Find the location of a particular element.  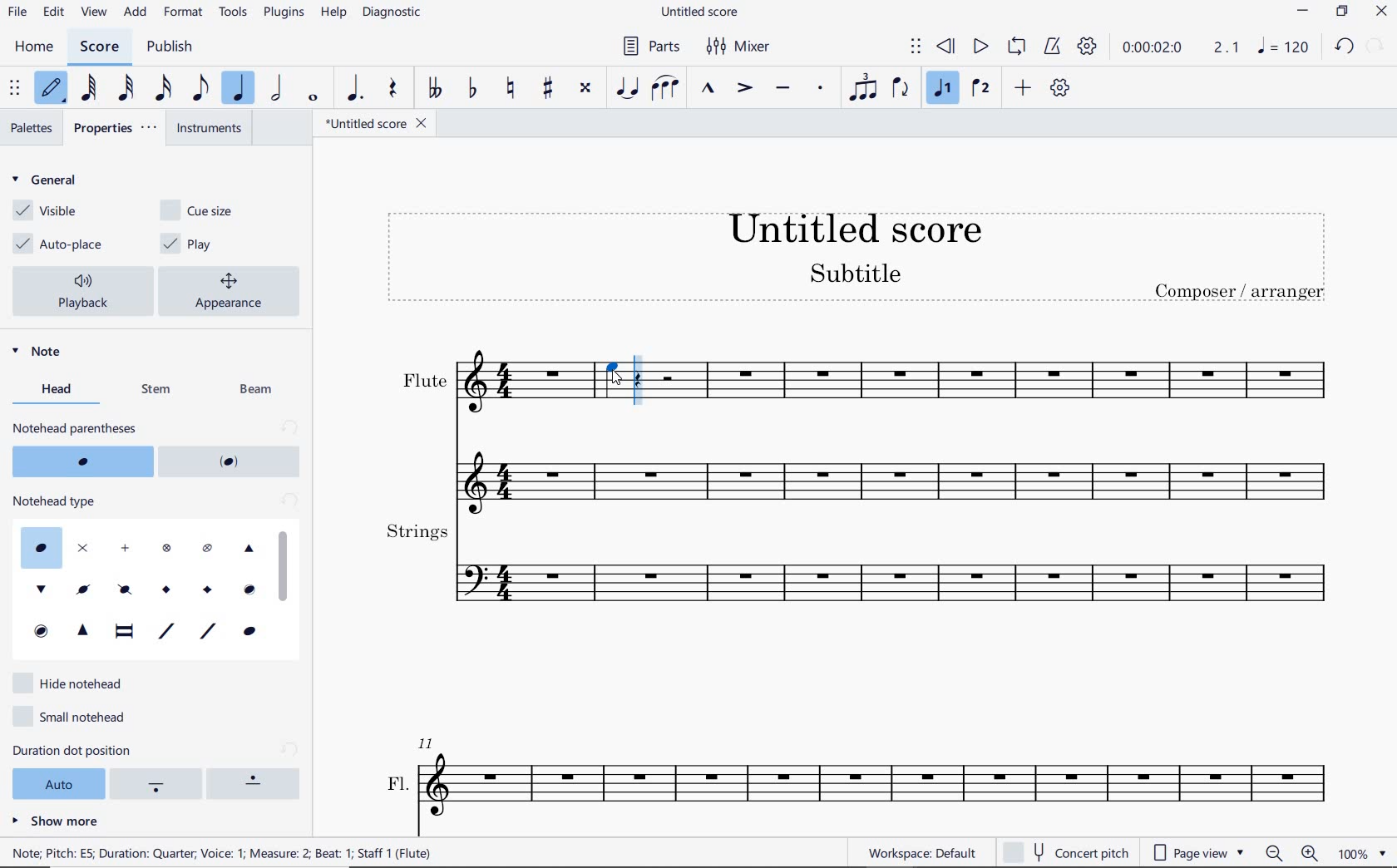

undo is located at coordinates (1343, 45).